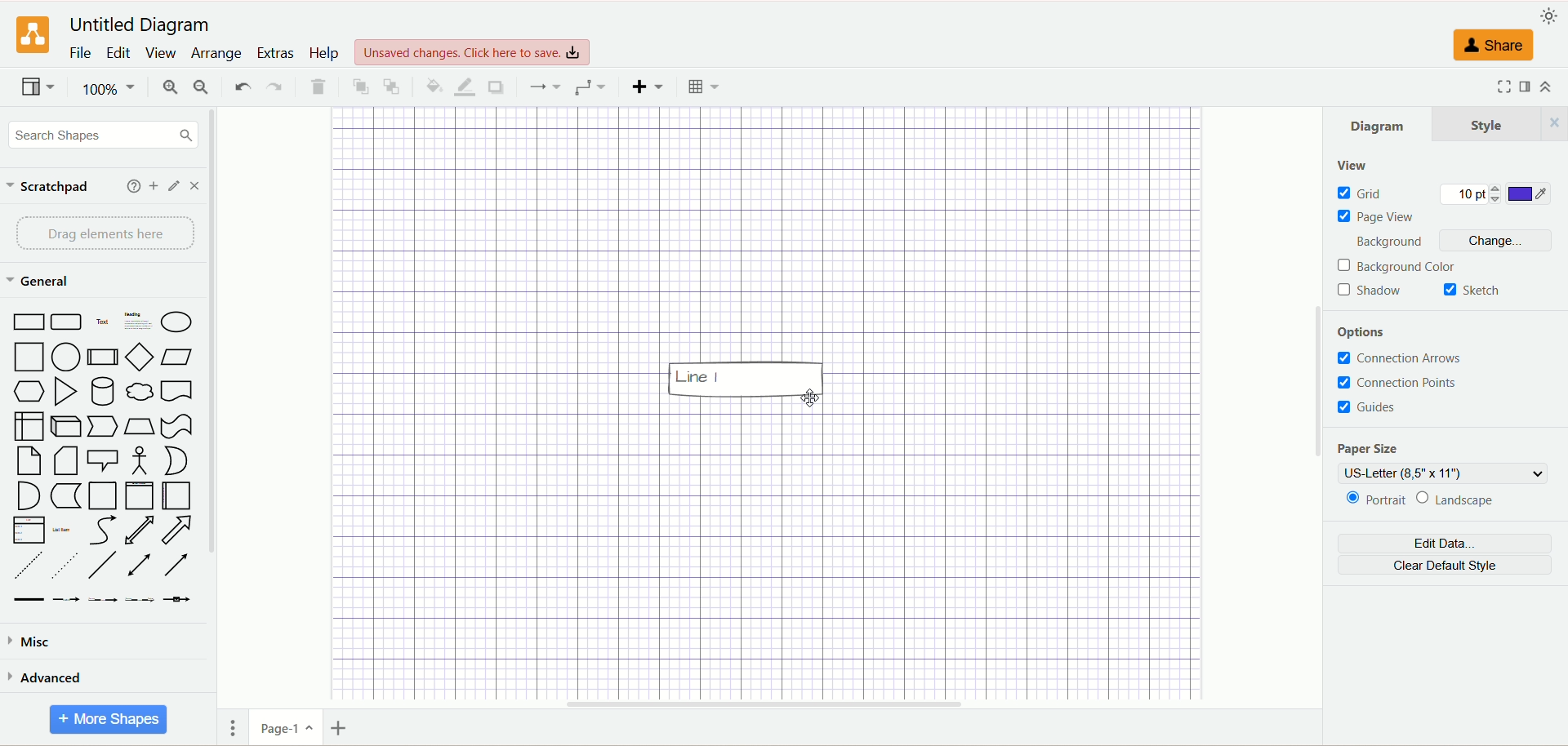 This screenshot has height=746, width=1568. I want to click on Diamond, so click(138, 357).